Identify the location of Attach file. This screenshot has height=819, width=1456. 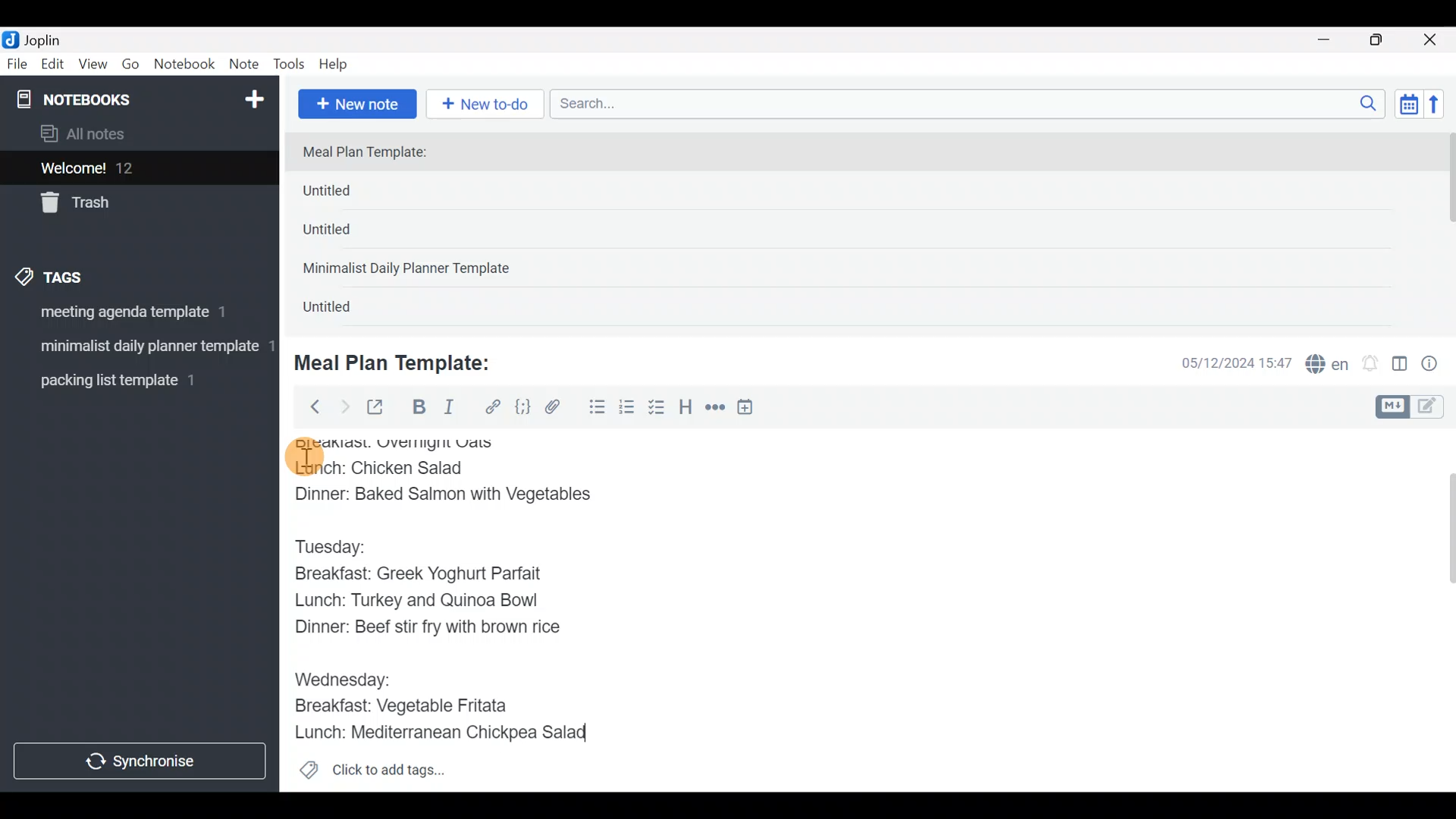
(557, 409).